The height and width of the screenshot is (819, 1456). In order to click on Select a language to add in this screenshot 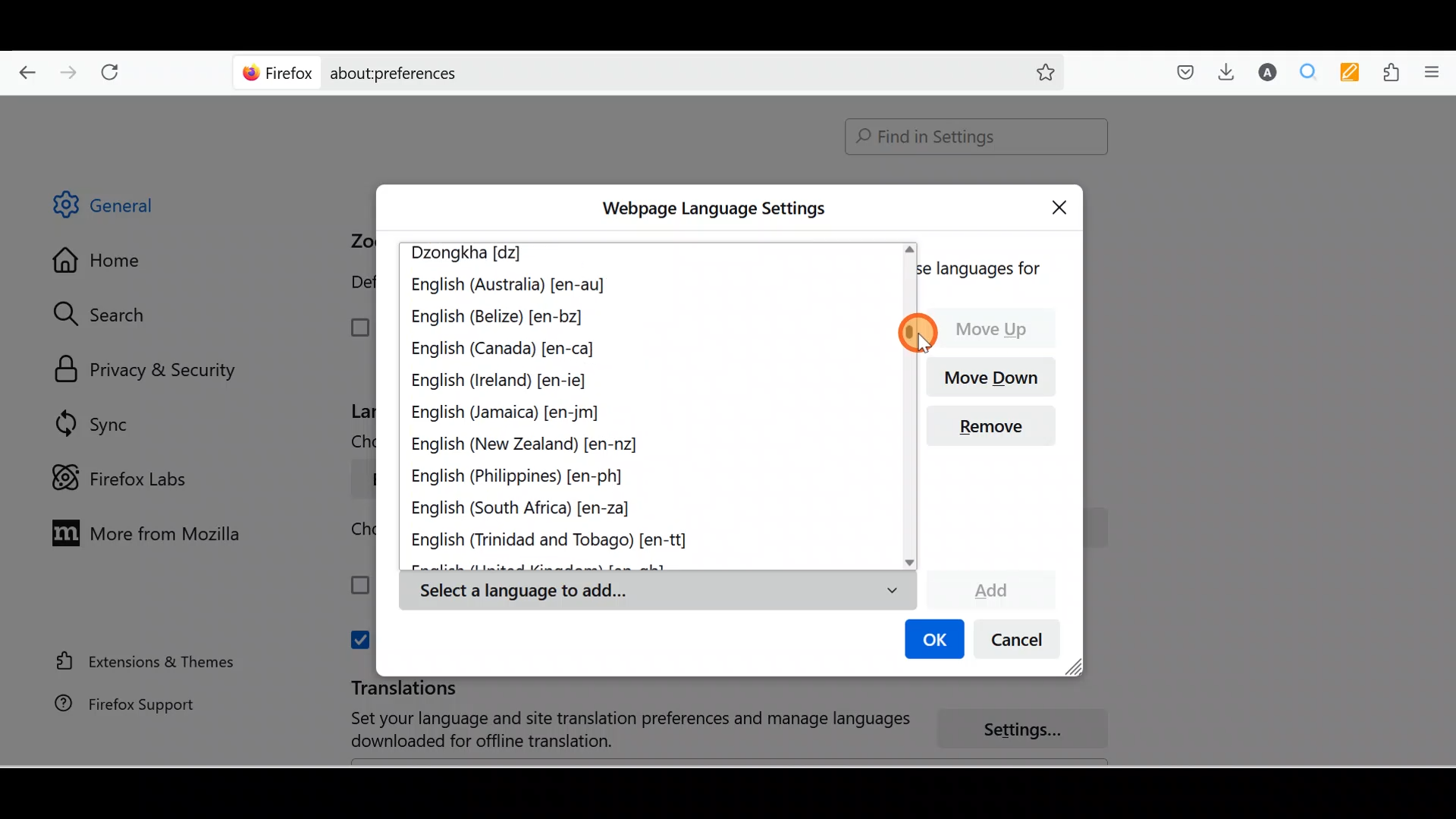, I will do `click(657, 591)`.